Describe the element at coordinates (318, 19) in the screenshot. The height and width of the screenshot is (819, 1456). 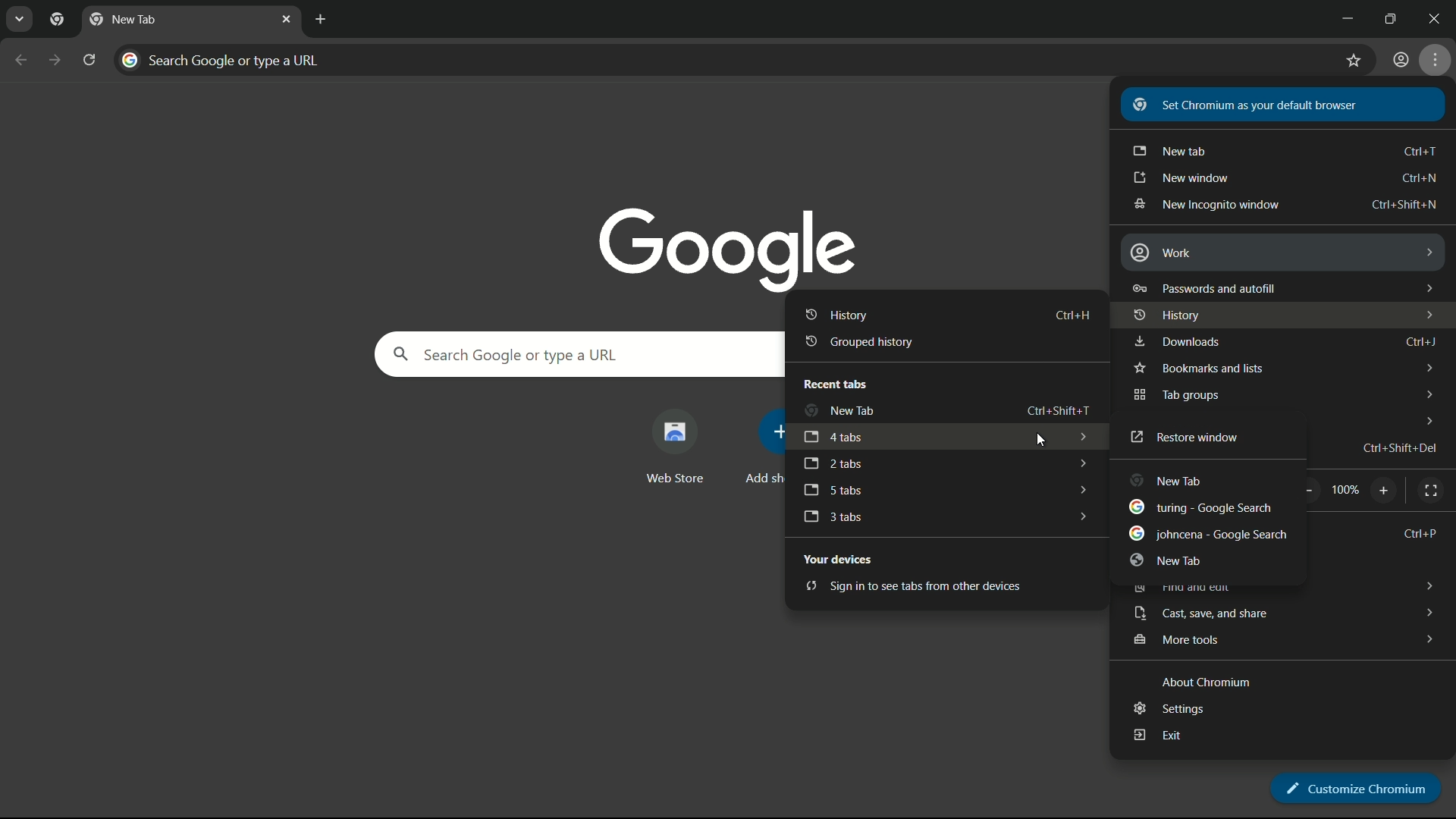
I see `new tab` at that location.